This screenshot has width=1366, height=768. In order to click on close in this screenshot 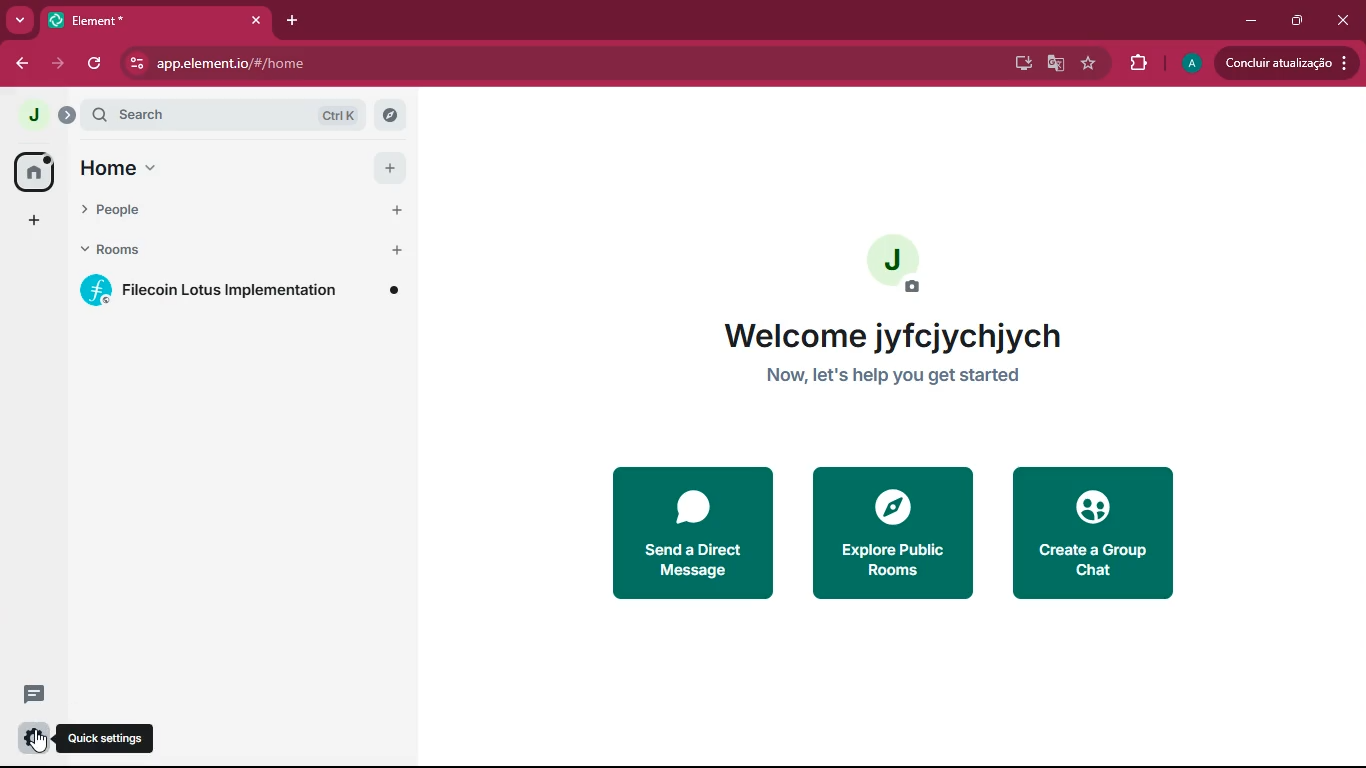, I will do `click(1344, 19)`.